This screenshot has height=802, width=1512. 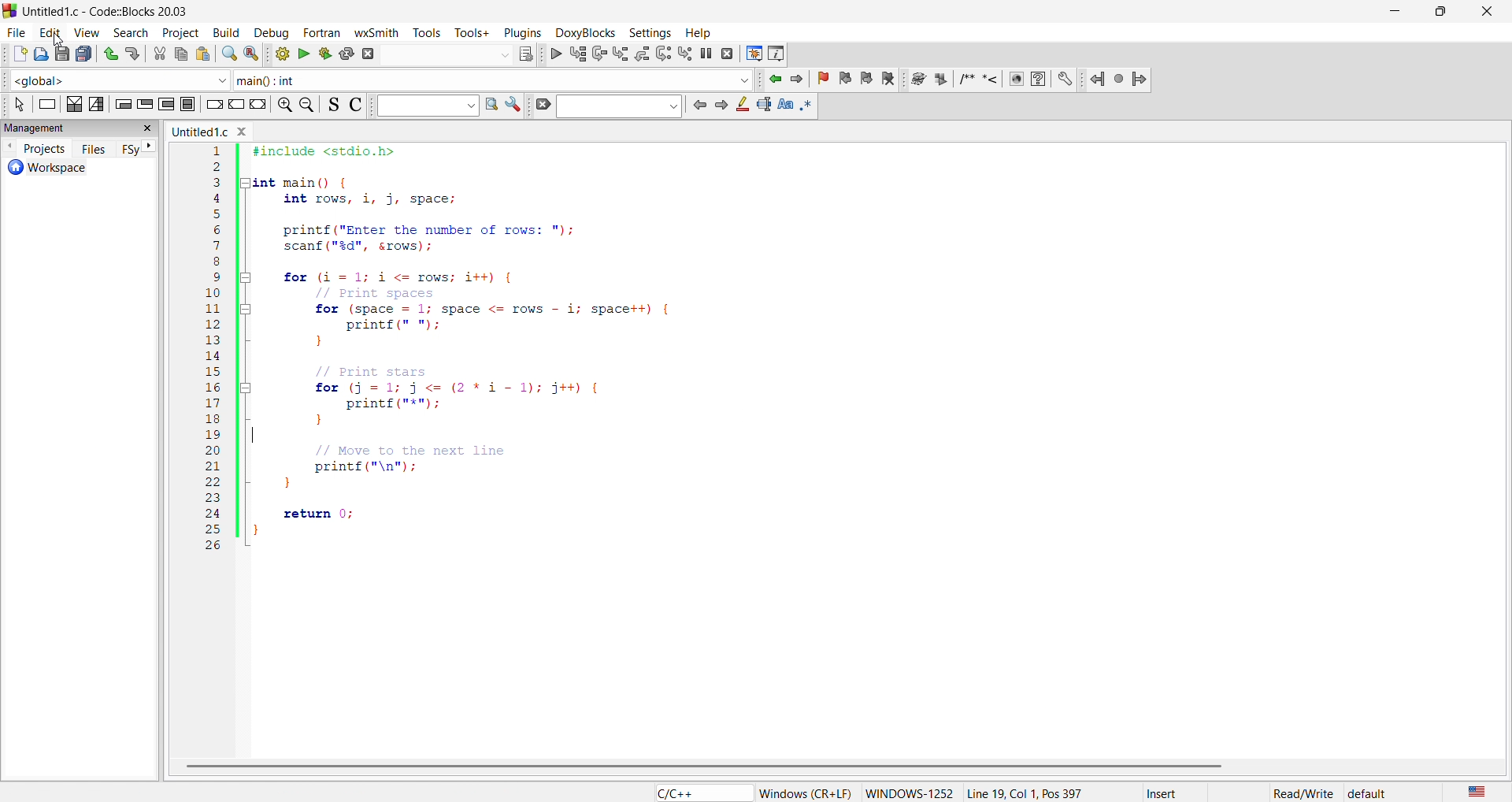 What do you see at coordinates (353, 104) in the screenshot?
I see `toggle comments` at bounding box center [353, 104].